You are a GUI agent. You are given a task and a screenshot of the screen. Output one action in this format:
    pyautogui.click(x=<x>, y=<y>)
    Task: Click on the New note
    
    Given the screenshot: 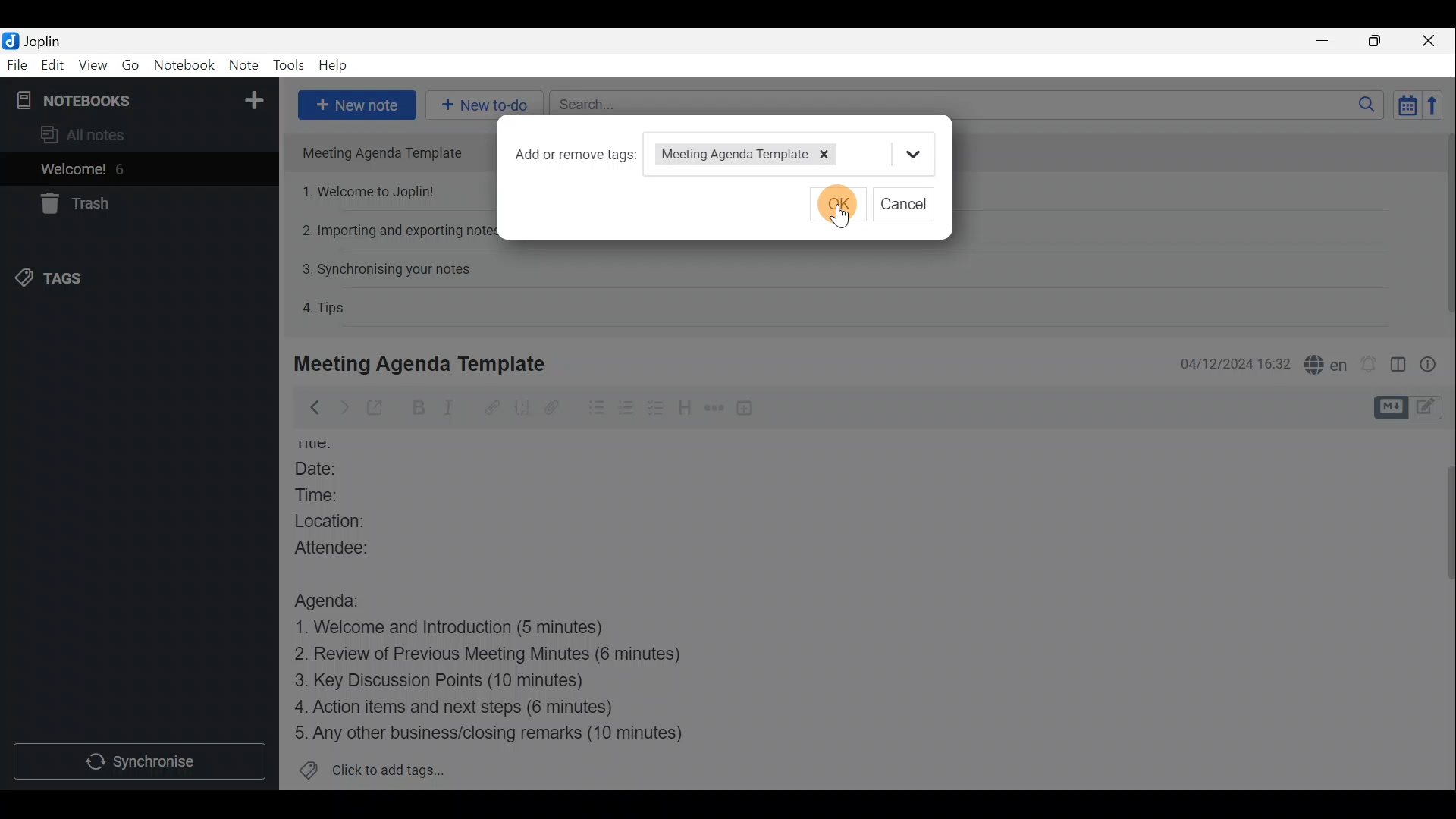 What is the action you would take?
    pyautogui.click(x=357, y=105)
    